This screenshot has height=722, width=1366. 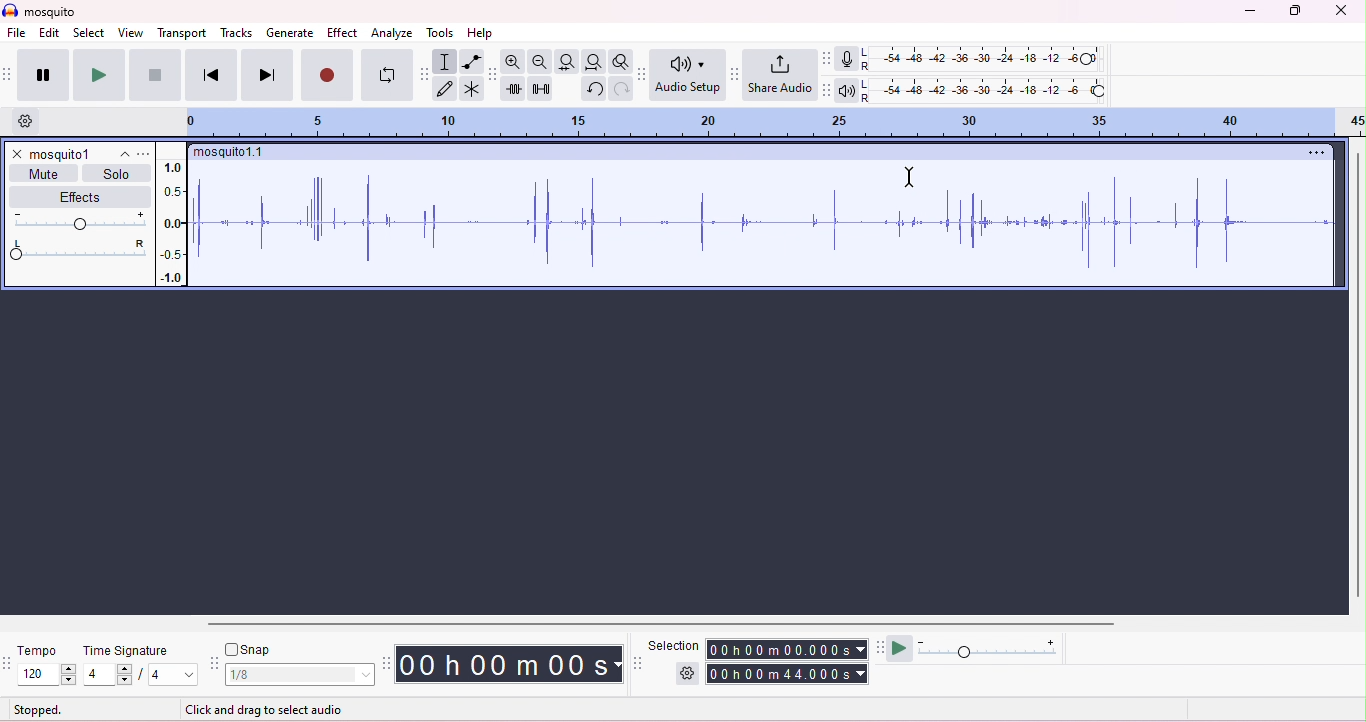 What do you see at coordinates (388, 663) in the screenshot?
I see `time tool` at bounding box center [388, 663].